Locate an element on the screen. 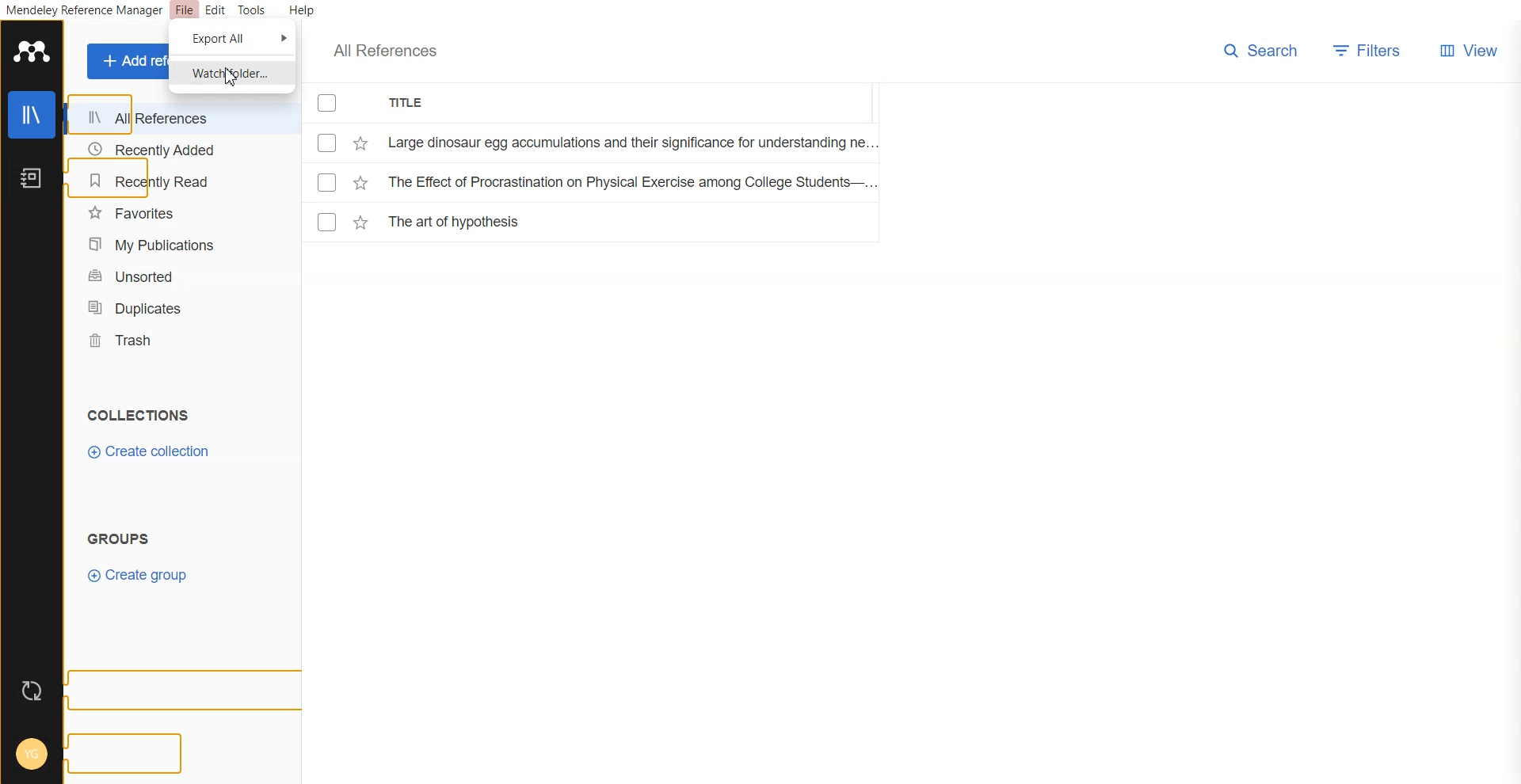 This screenshot has width=1521, height=784. Trash is located at coordinates (166, 340).